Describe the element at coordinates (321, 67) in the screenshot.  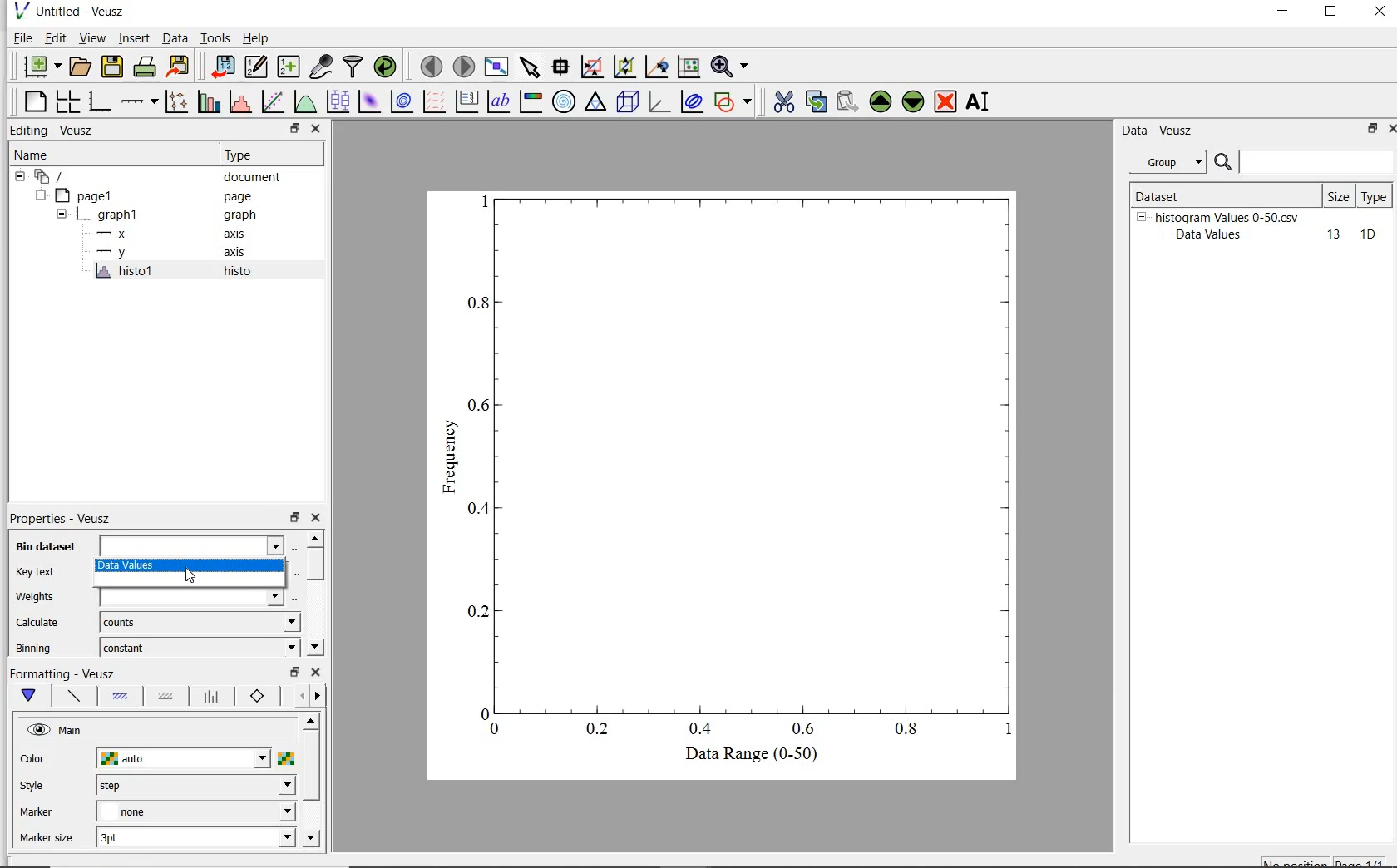
I see `capture remote data` at that location.